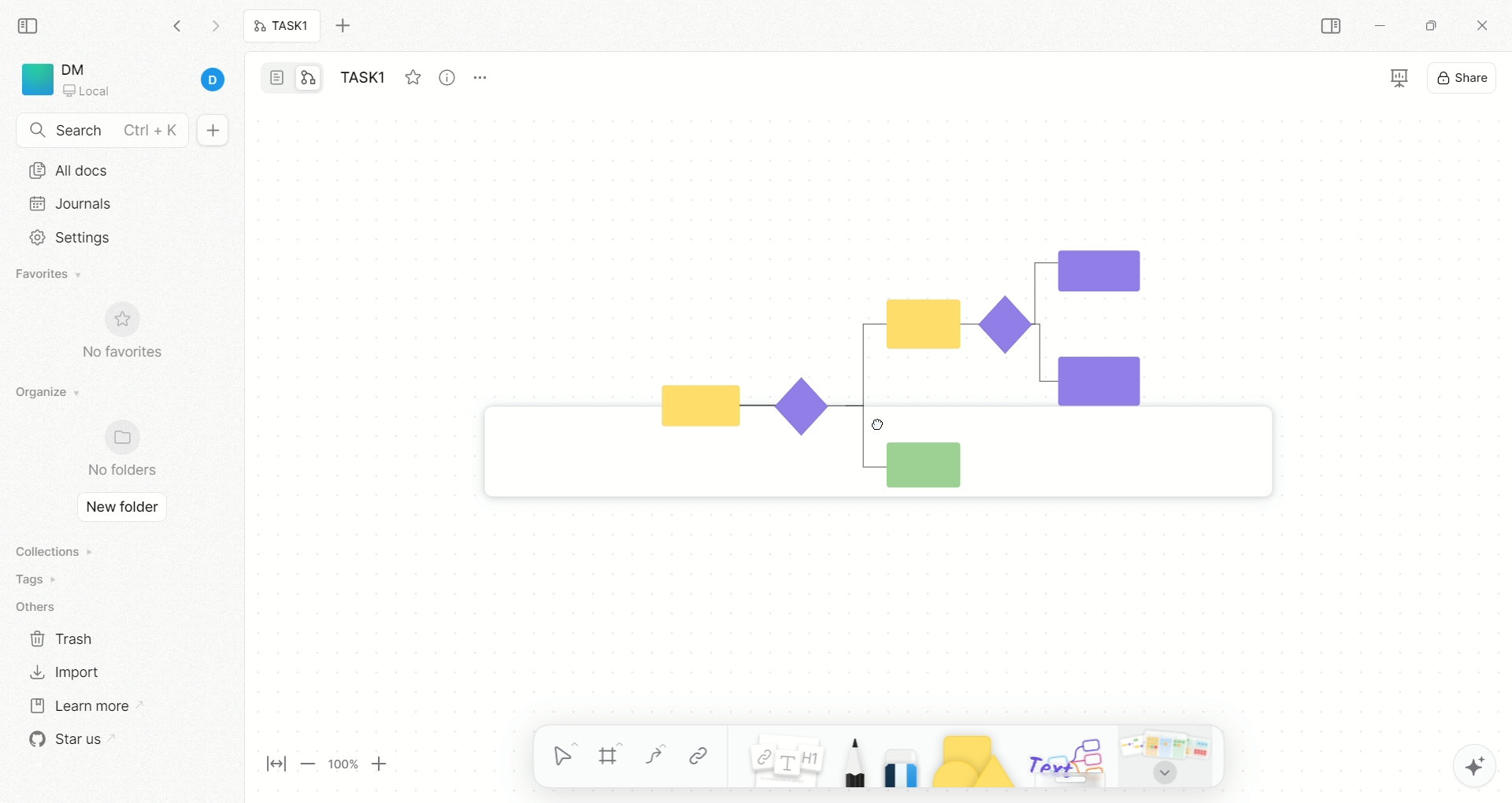  I want to click on minimize, so click(1378, 28).